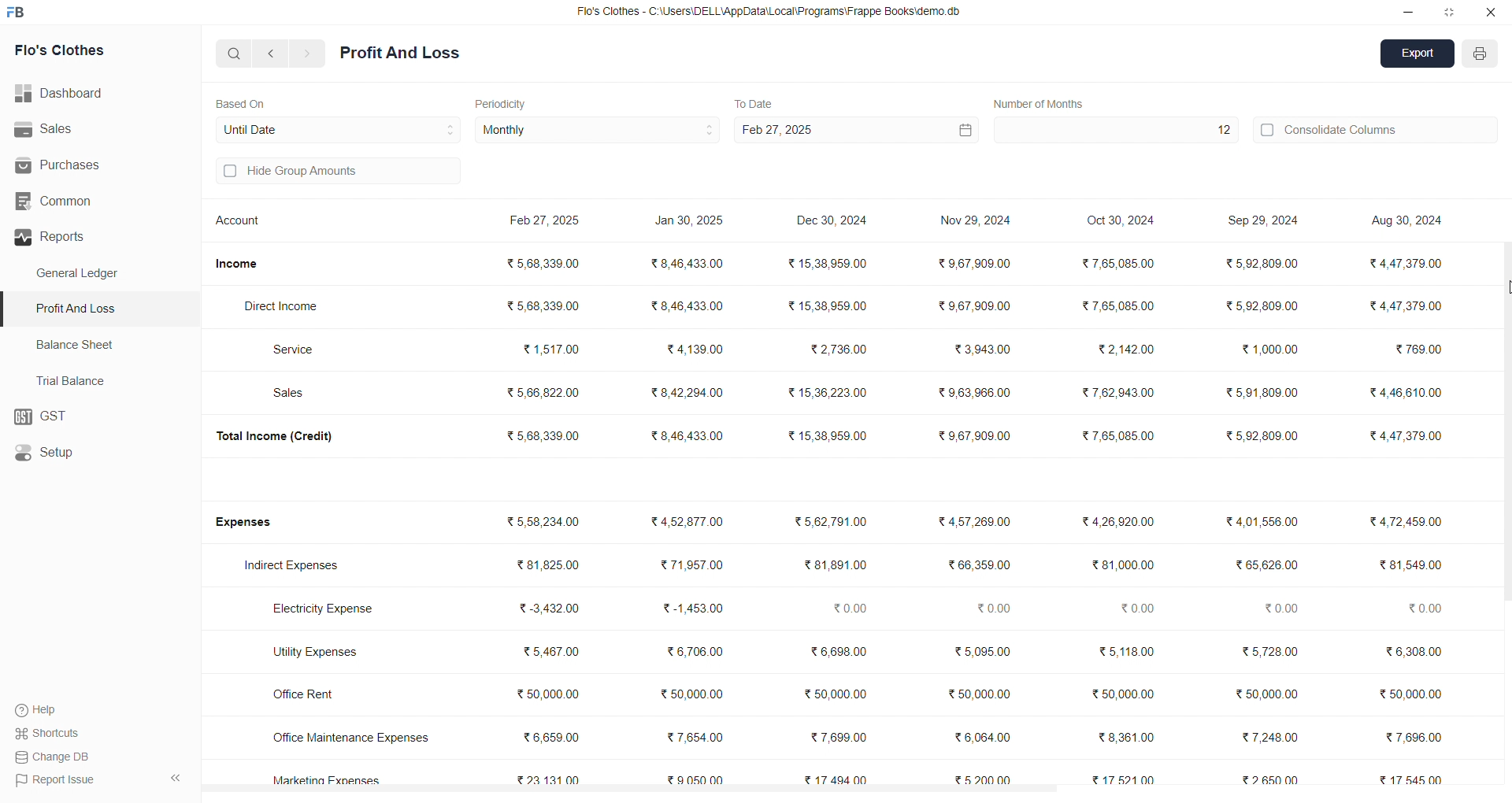  Describe the element at coordinates (98, 417) in the screenshot. I see `GST` at that location.